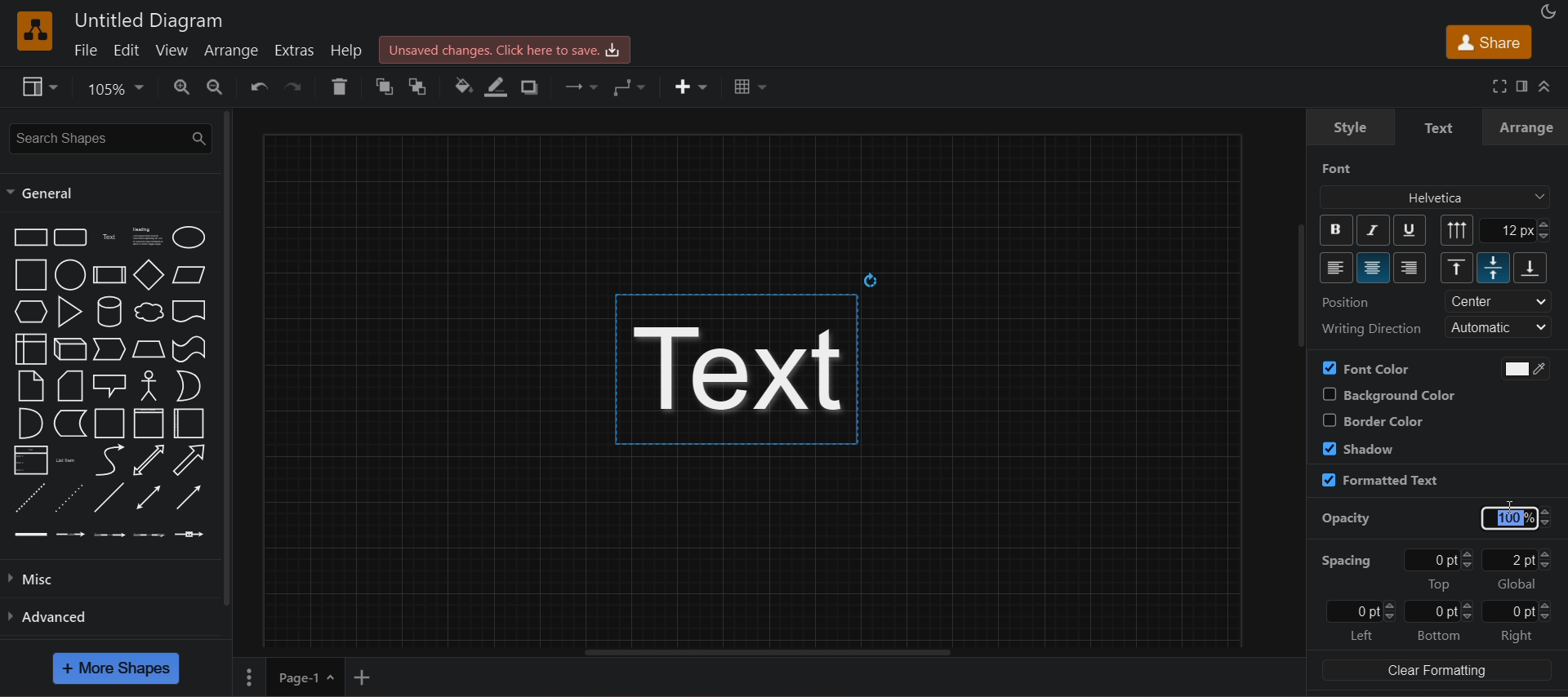  What do you see at coordinates (1439, 584) in the screenshot?
I see `top` at bounding box center [1439, 584].